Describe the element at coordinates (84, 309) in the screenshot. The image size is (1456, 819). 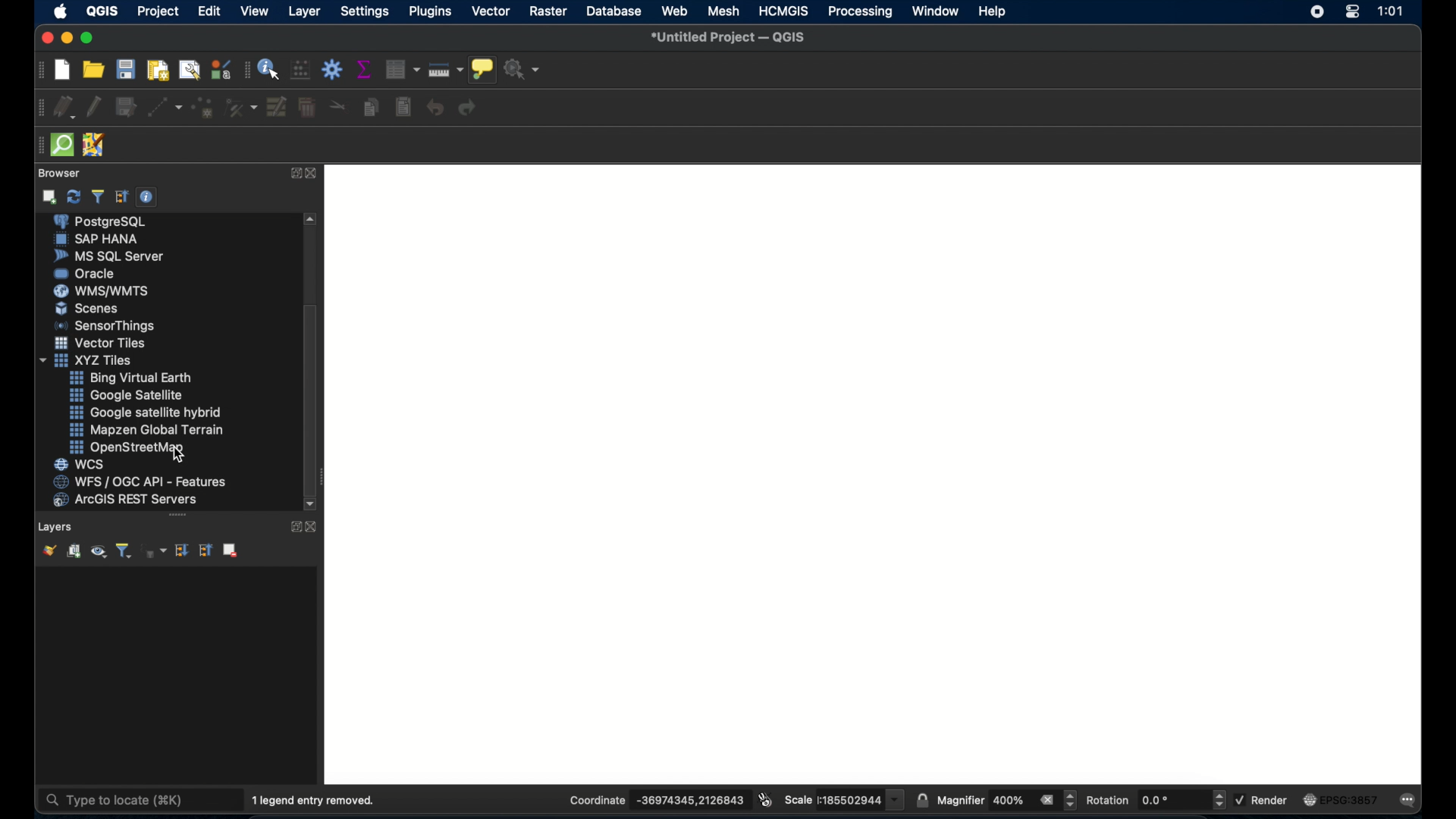
I see `scenes` at that location.